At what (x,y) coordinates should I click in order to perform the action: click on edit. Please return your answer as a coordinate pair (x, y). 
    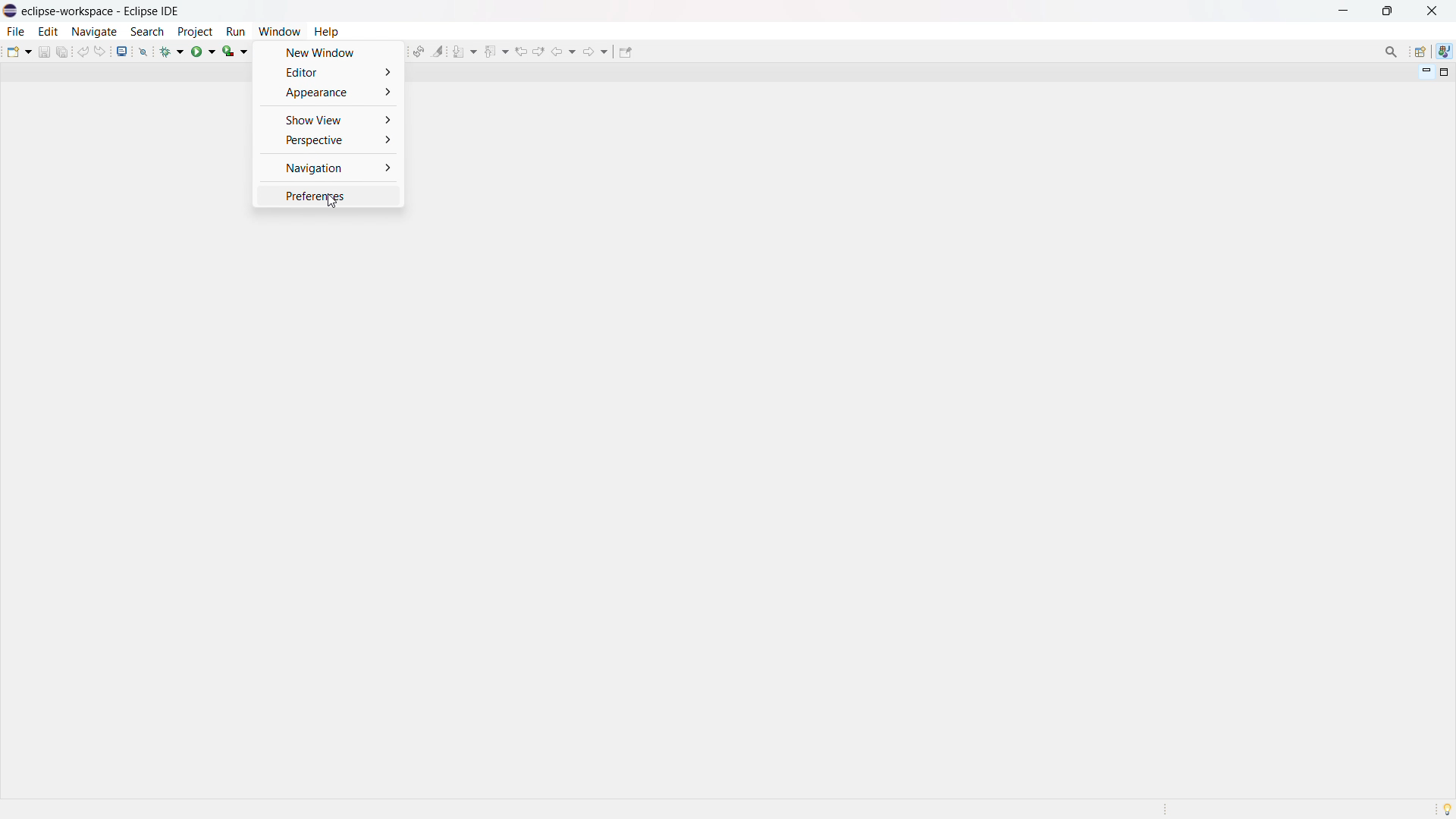
    Looking at the image, I should click on (47, 32).